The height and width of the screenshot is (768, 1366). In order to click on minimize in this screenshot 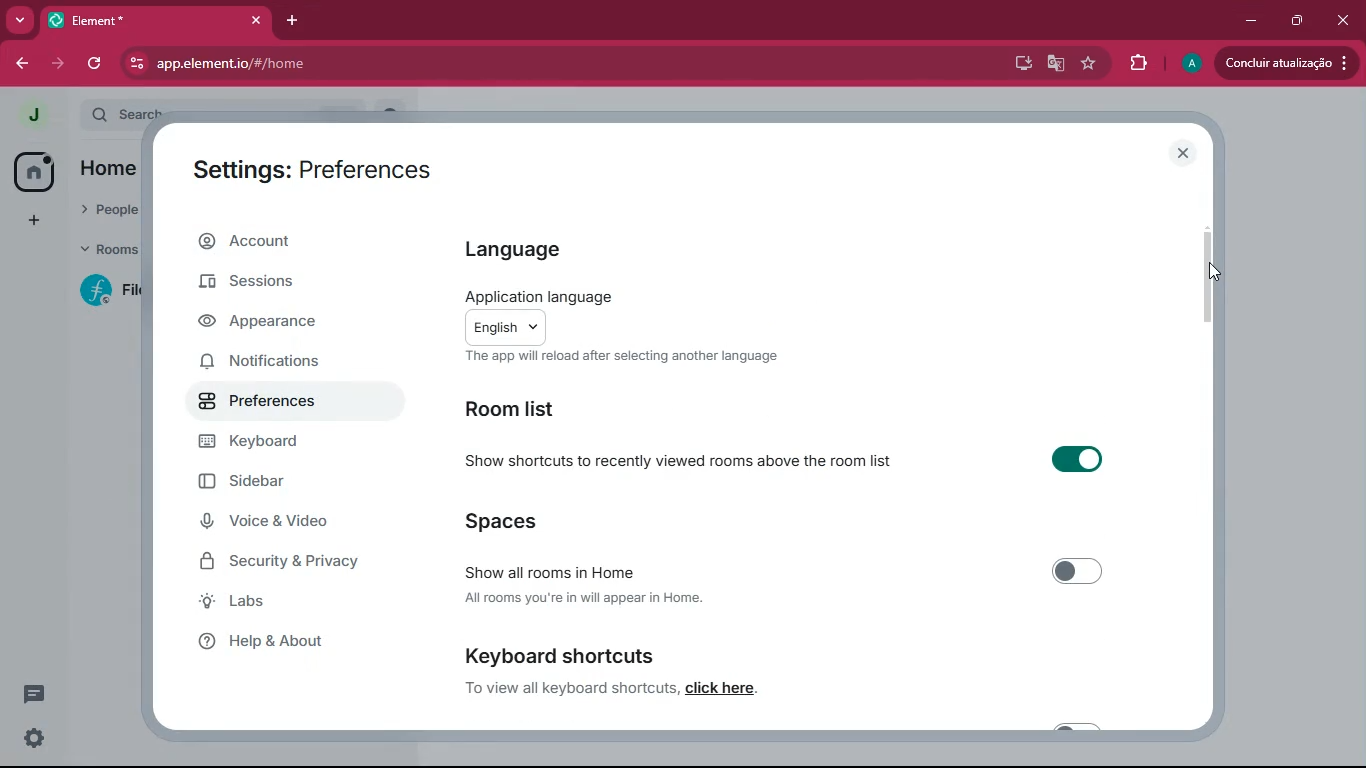, I will do `click(1251, 18)`.